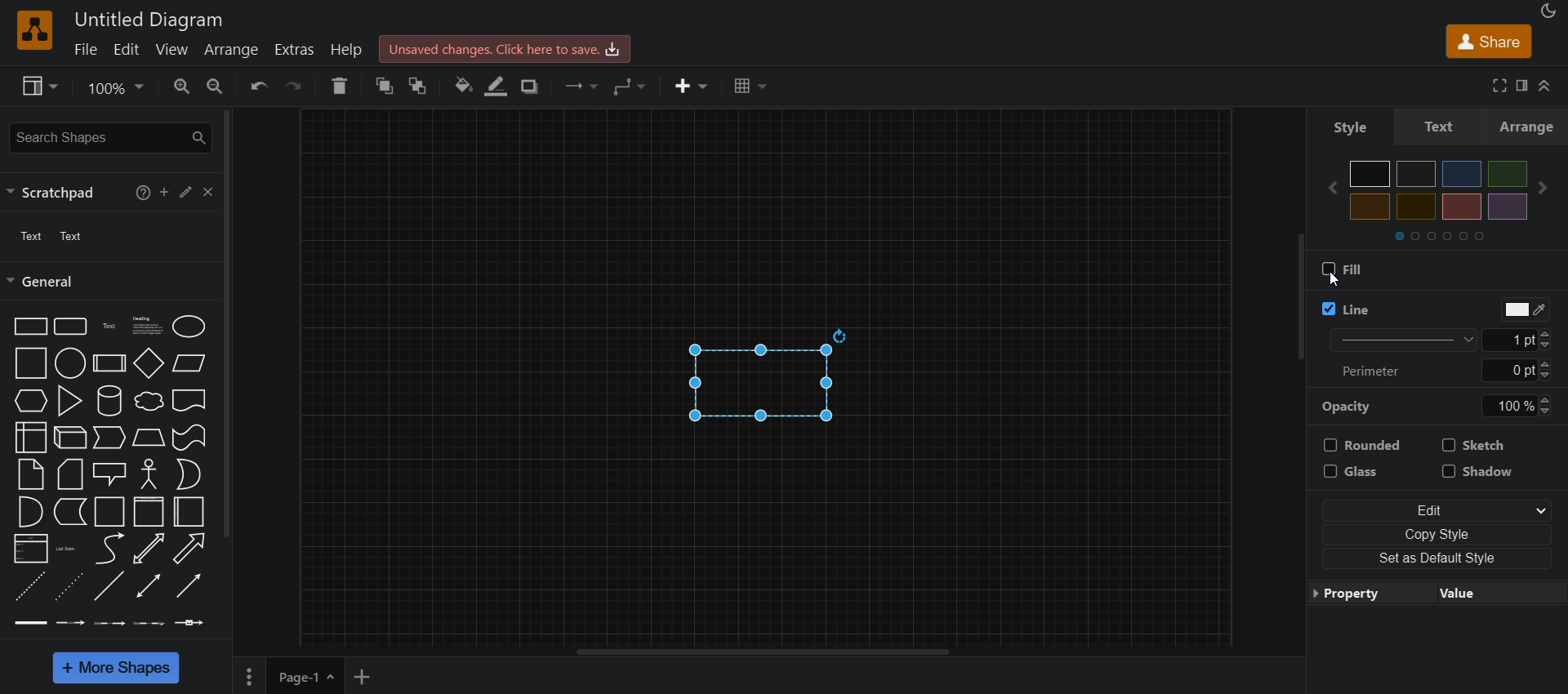 This screenshot has height=694, width=1568. I want to click on rectangle, so click(751, 384).